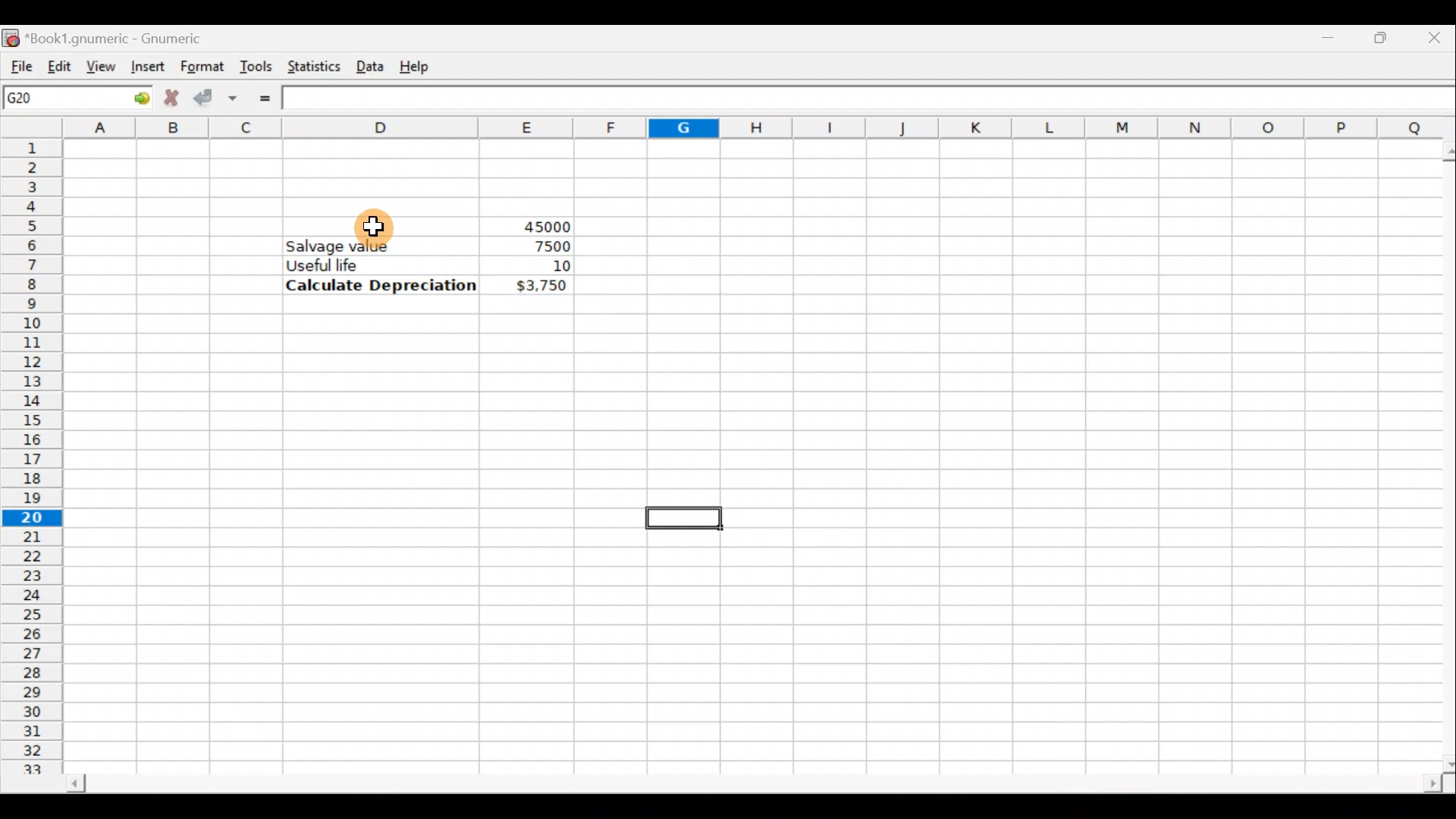  Describe the element at coordinates (170, 96) in the screenshot. I see `Cancel change` at that location.